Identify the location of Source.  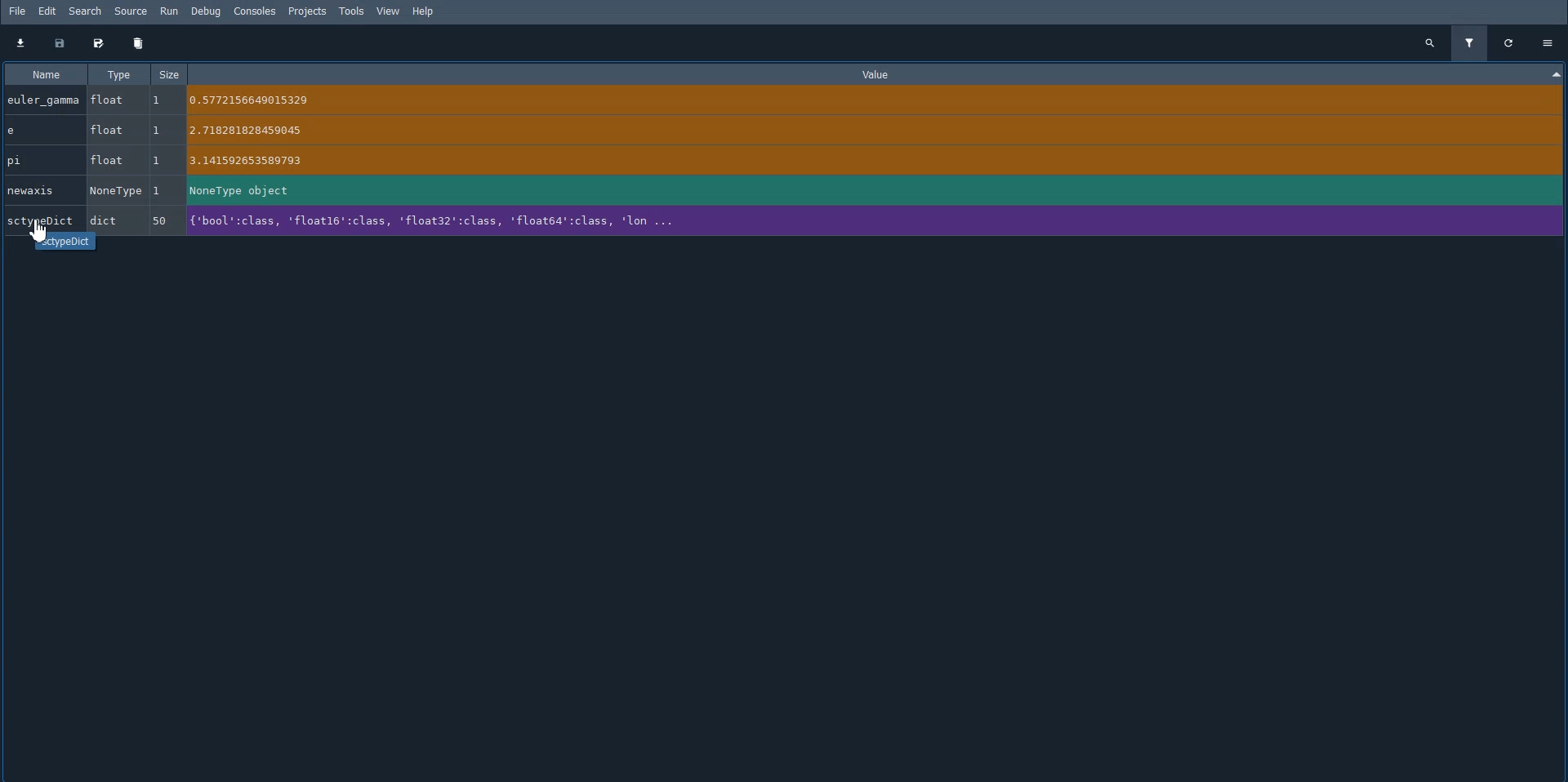
(132, 11).